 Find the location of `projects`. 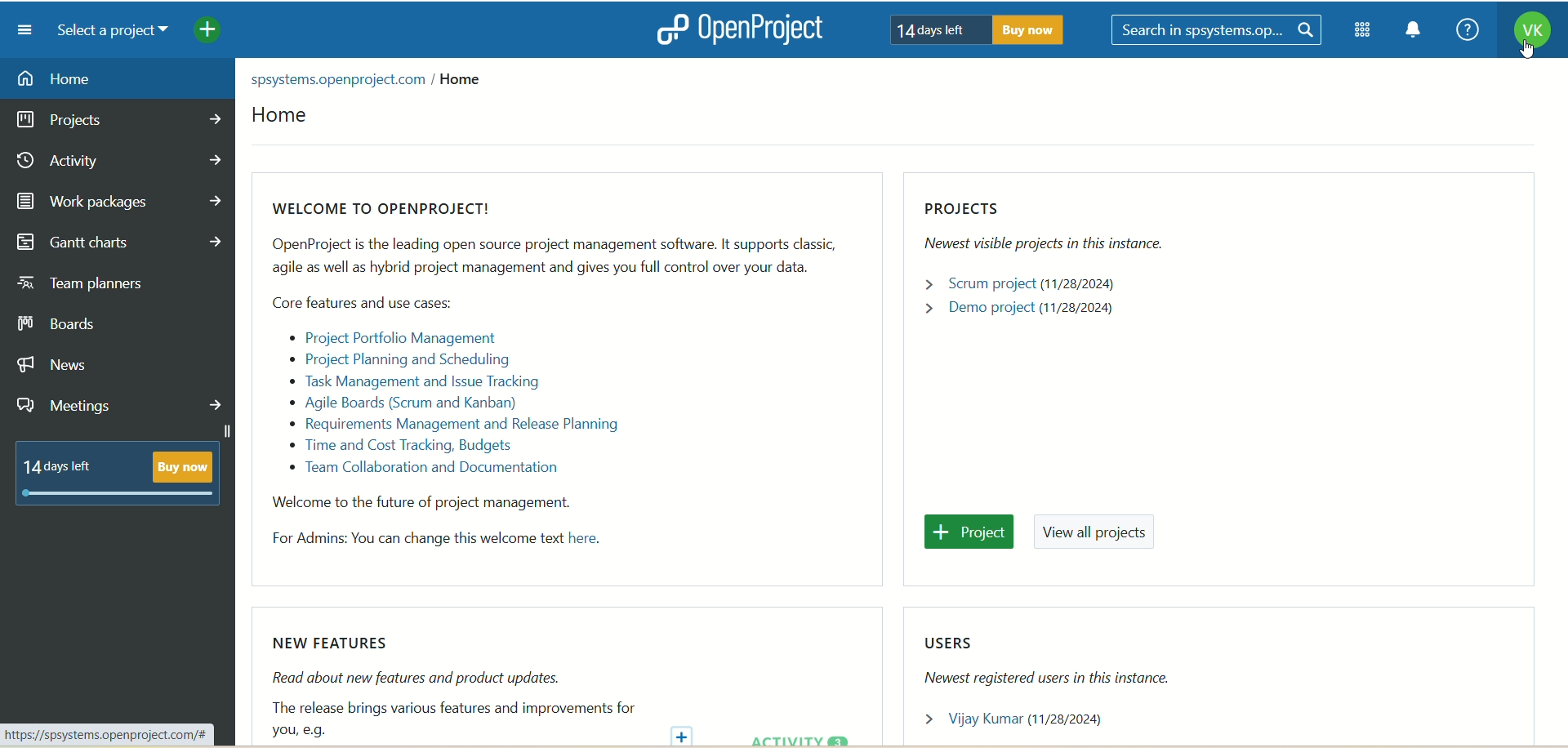

projects is located at coordinates (1054, 229).